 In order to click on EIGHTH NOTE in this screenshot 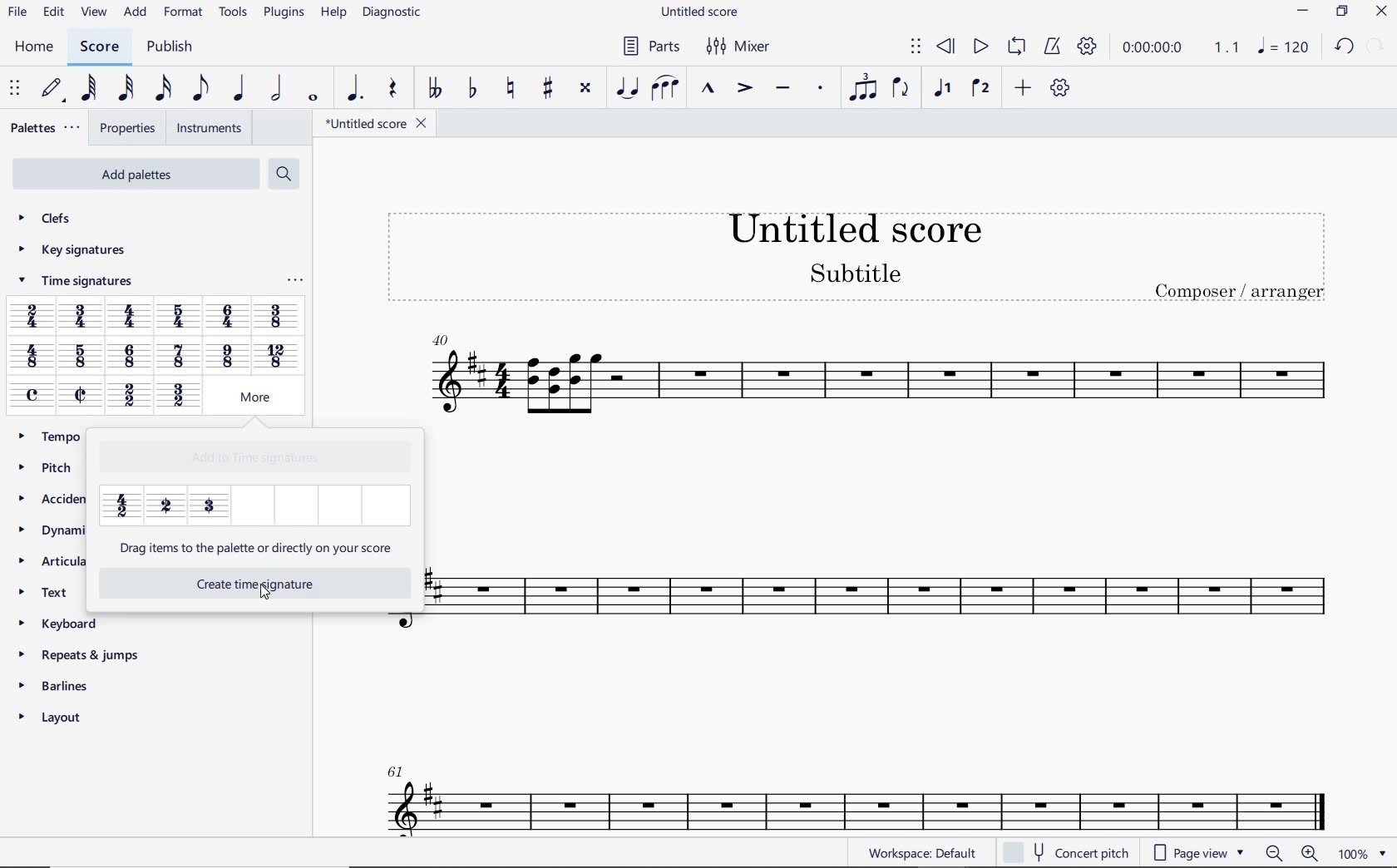, I will do `click(200, 89)`.